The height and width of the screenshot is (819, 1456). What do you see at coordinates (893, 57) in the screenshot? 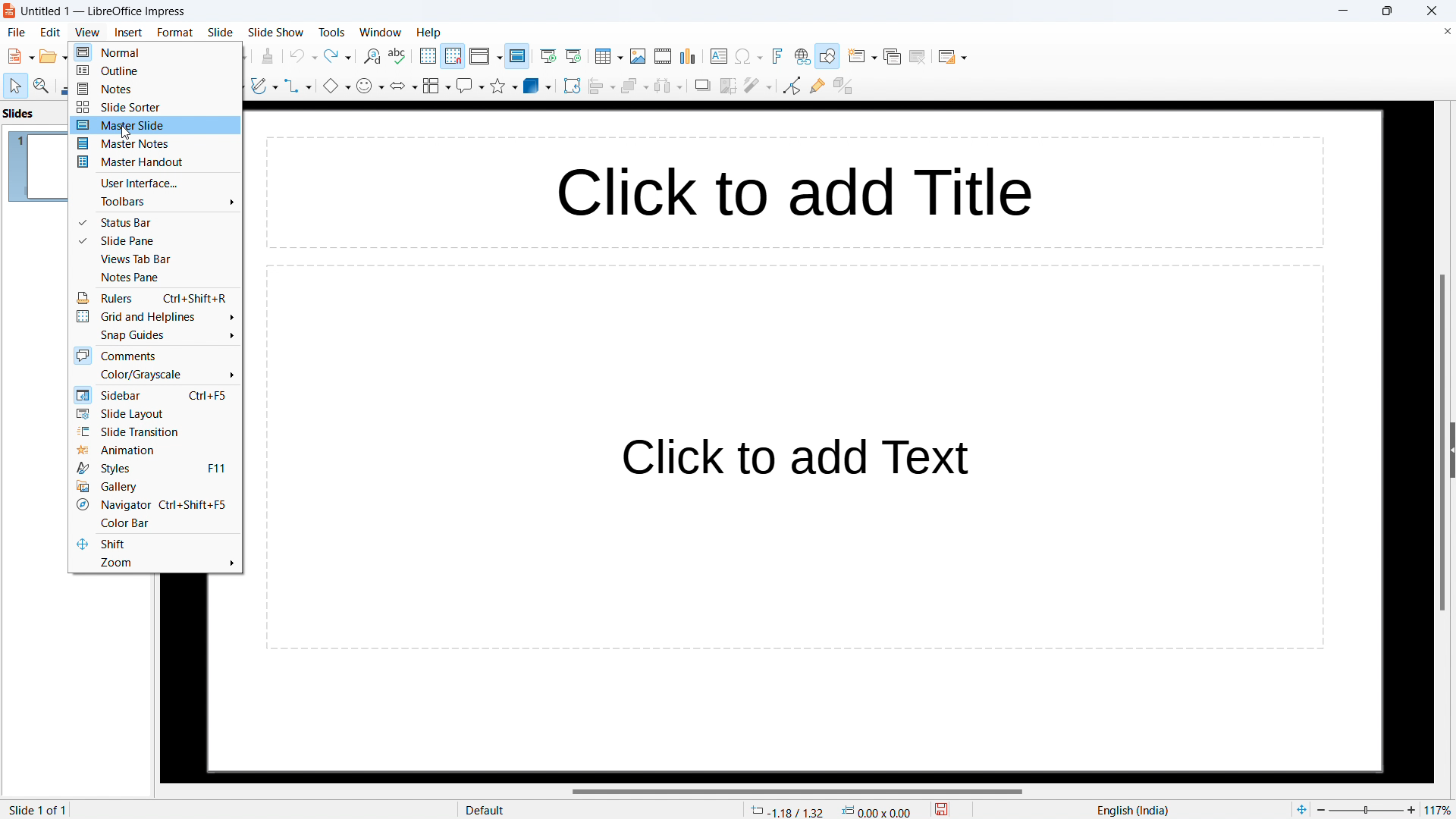
I see `duplicate slide` at bounding box center [893, 57].